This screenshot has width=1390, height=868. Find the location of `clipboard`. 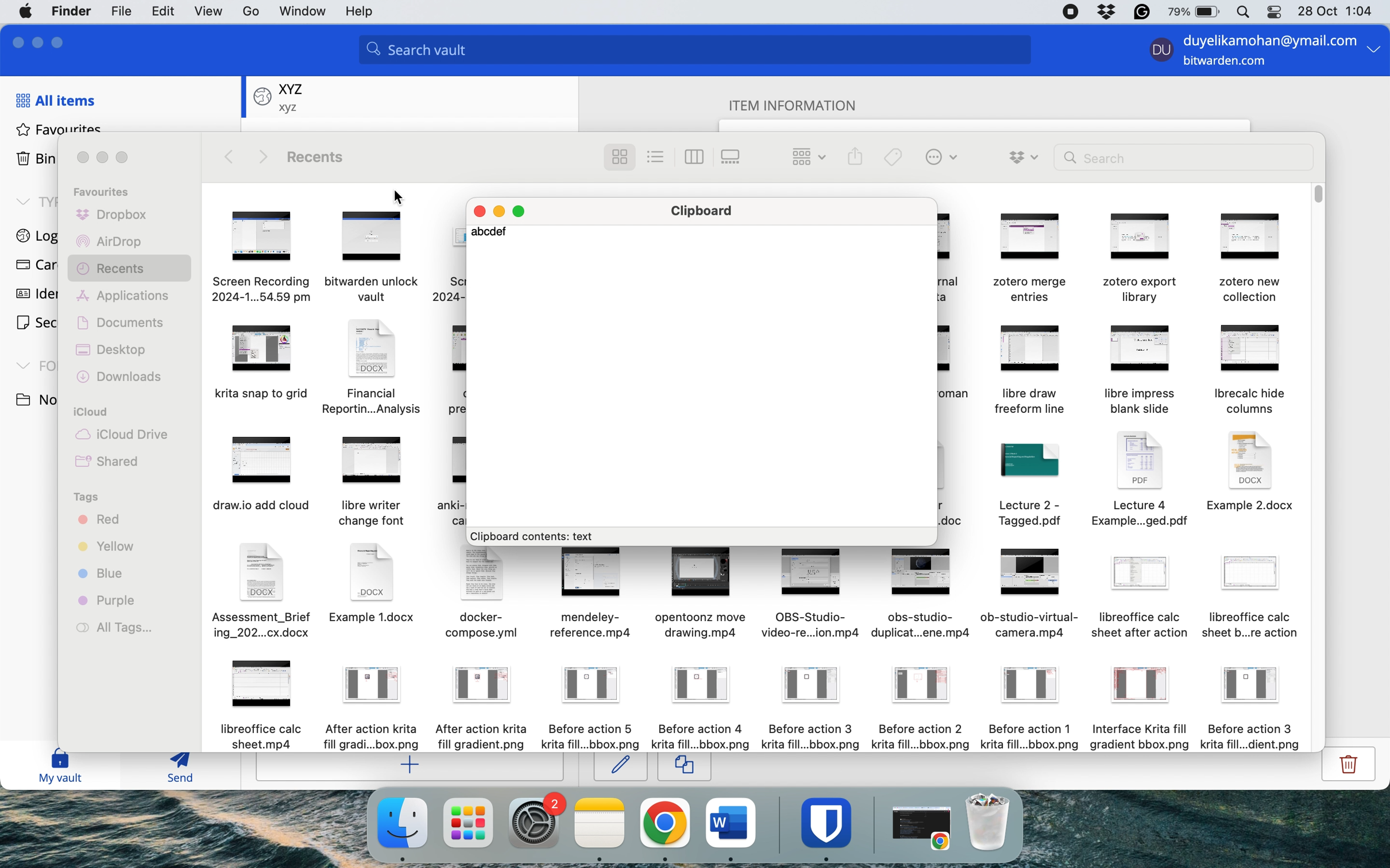

clipboard is located at coordinates (708, 212).